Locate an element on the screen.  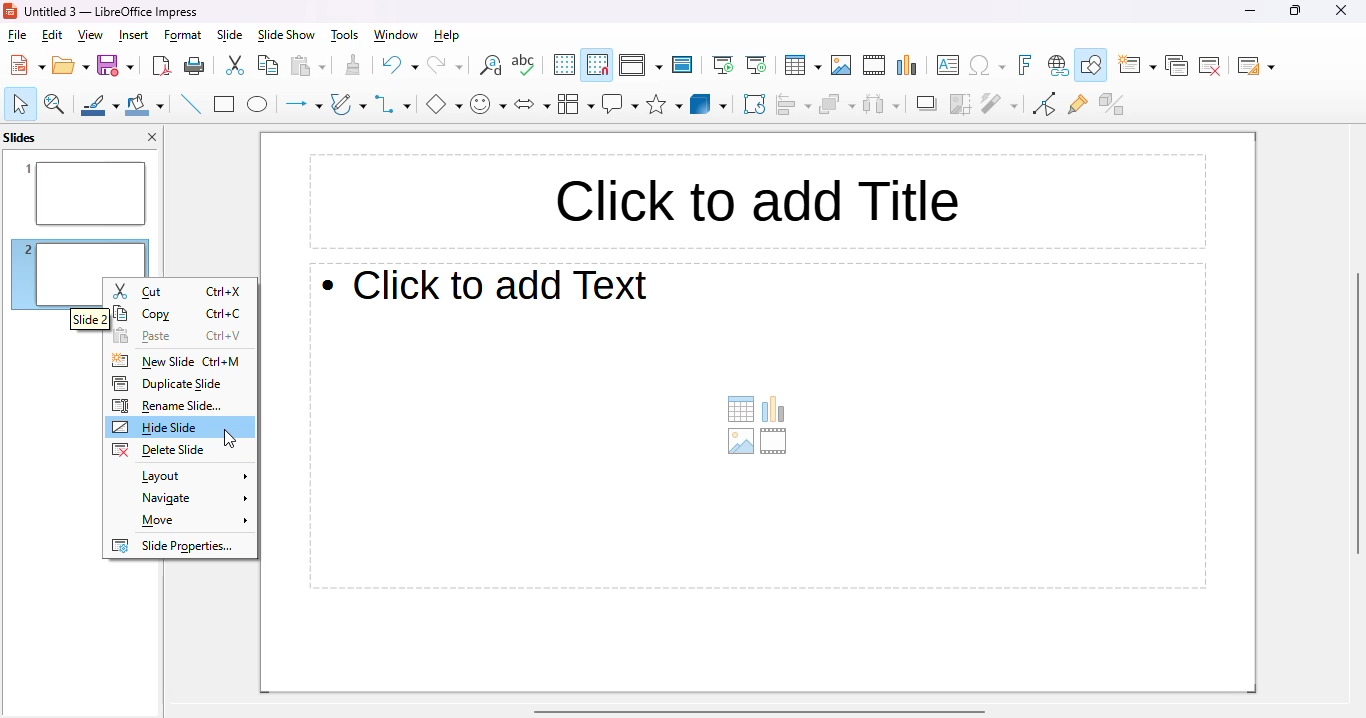
new is located at coordinates (27, 65).